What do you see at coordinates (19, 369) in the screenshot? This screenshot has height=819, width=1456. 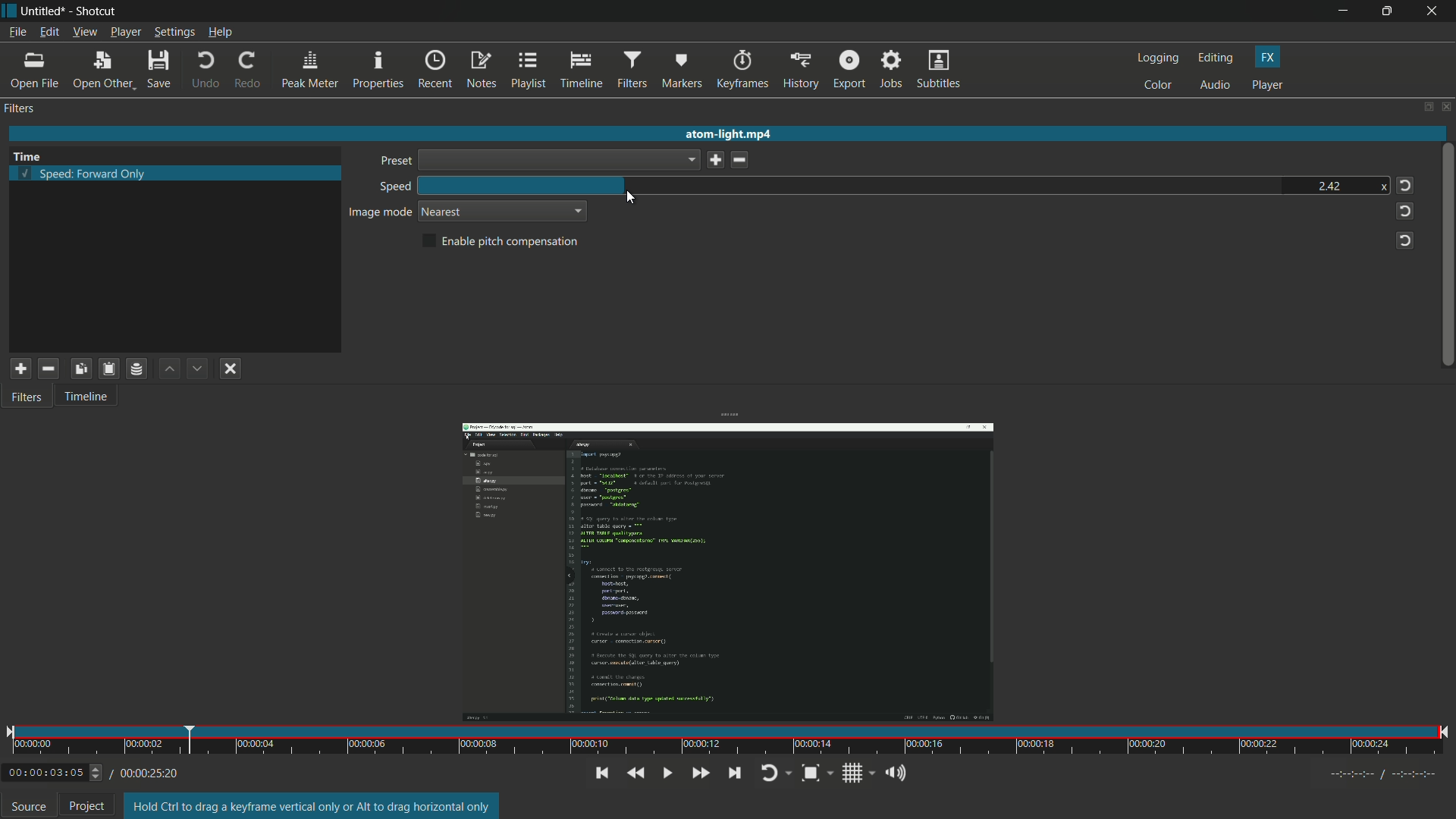 I see `add a filter` at bounding box center [19, 369].